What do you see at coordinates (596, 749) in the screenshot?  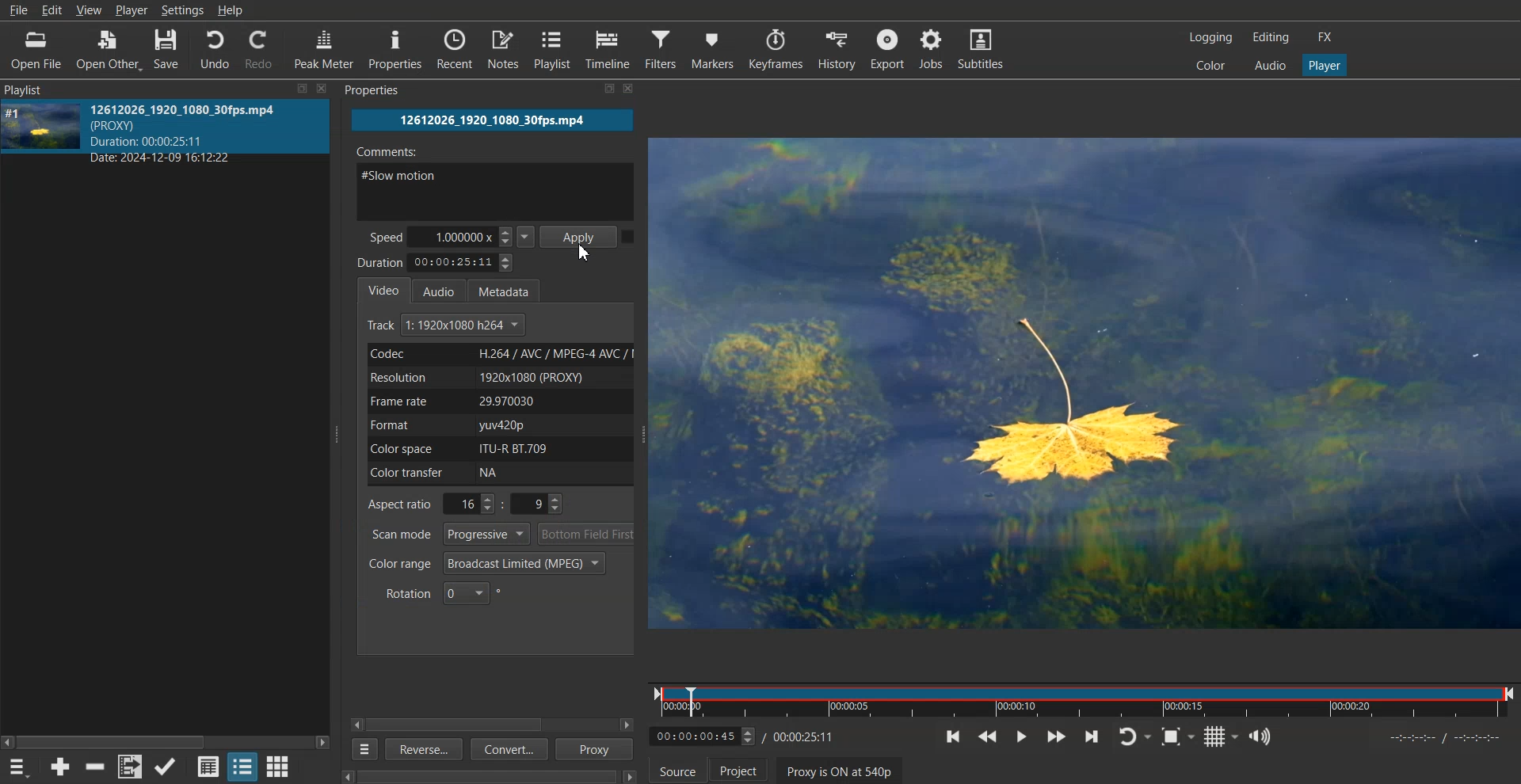 I see `Proxy` at bounding box center [596, 749].